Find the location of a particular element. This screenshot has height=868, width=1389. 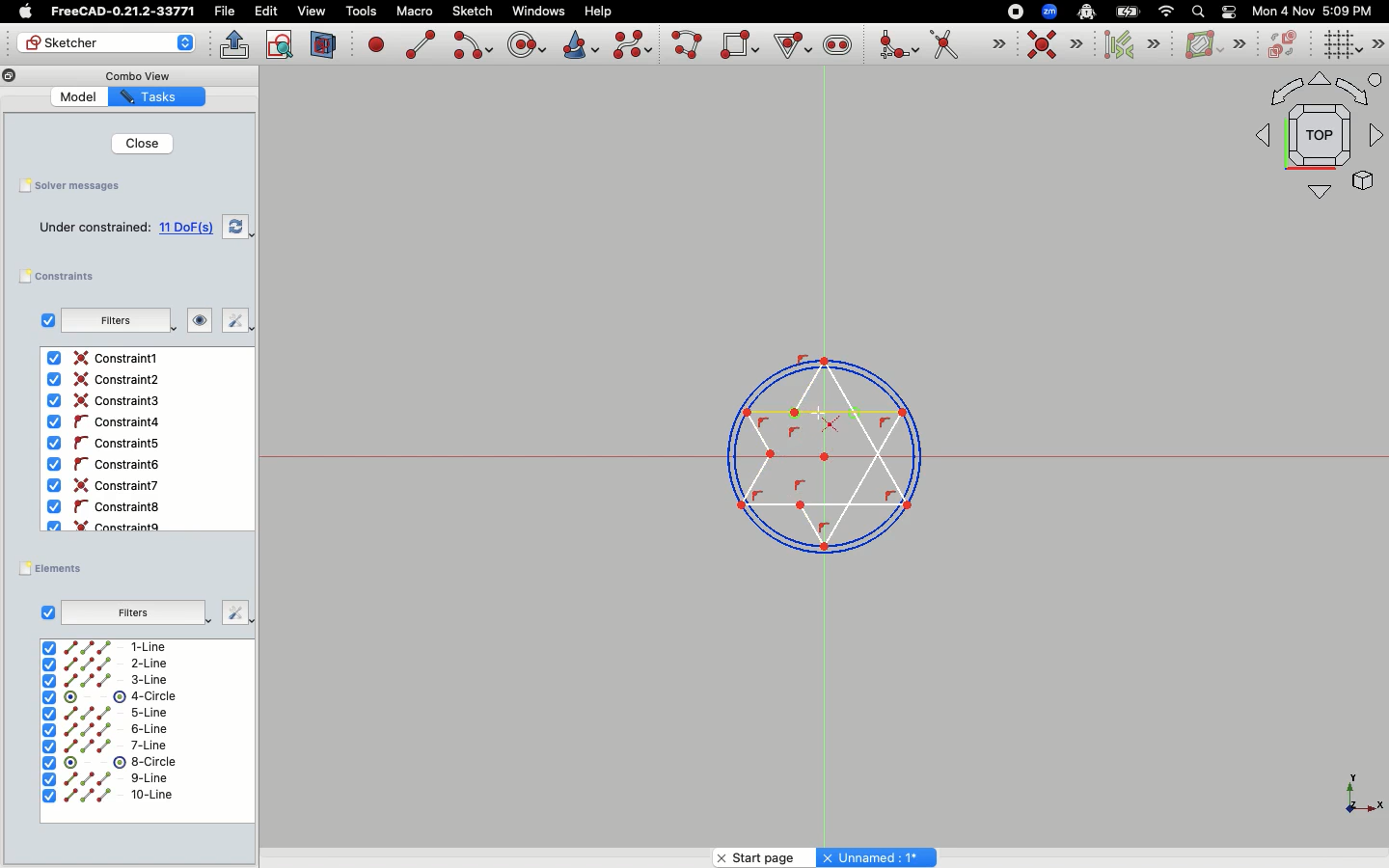

Create rectangle is located at coordinates (740, 44).